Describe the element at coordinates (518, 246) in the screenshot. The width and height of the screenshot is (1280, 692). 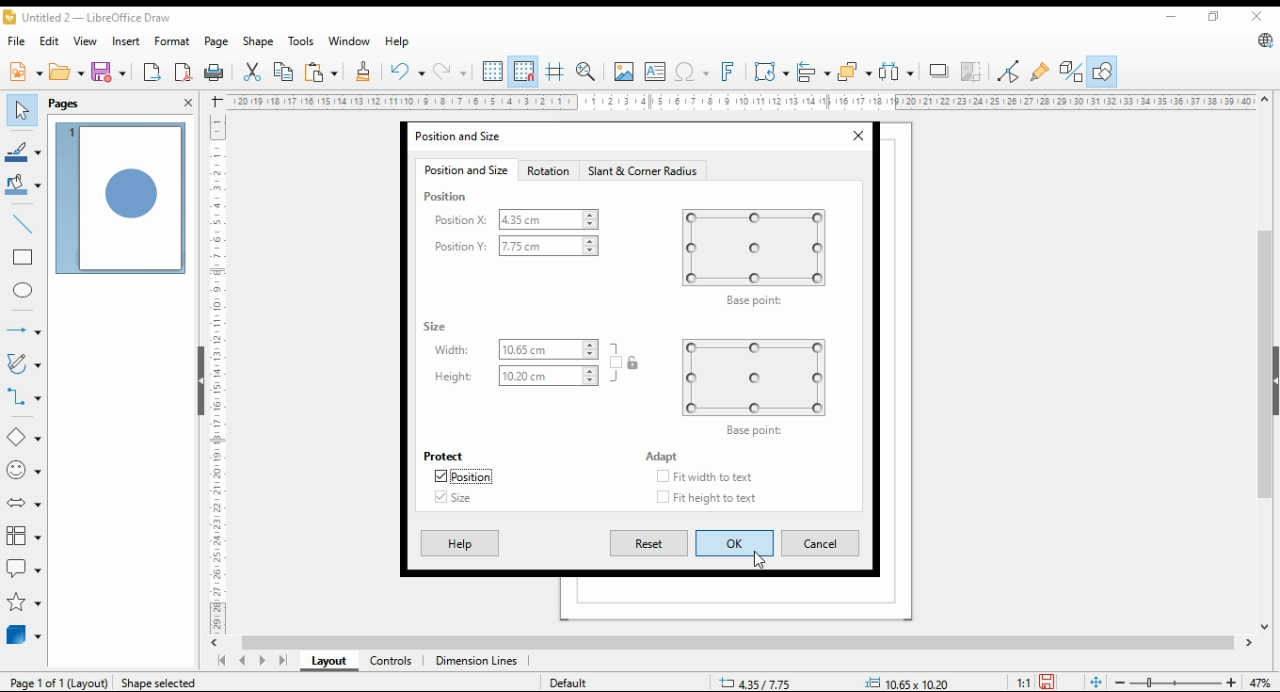
I see `position Y:7.75cm` at that location.